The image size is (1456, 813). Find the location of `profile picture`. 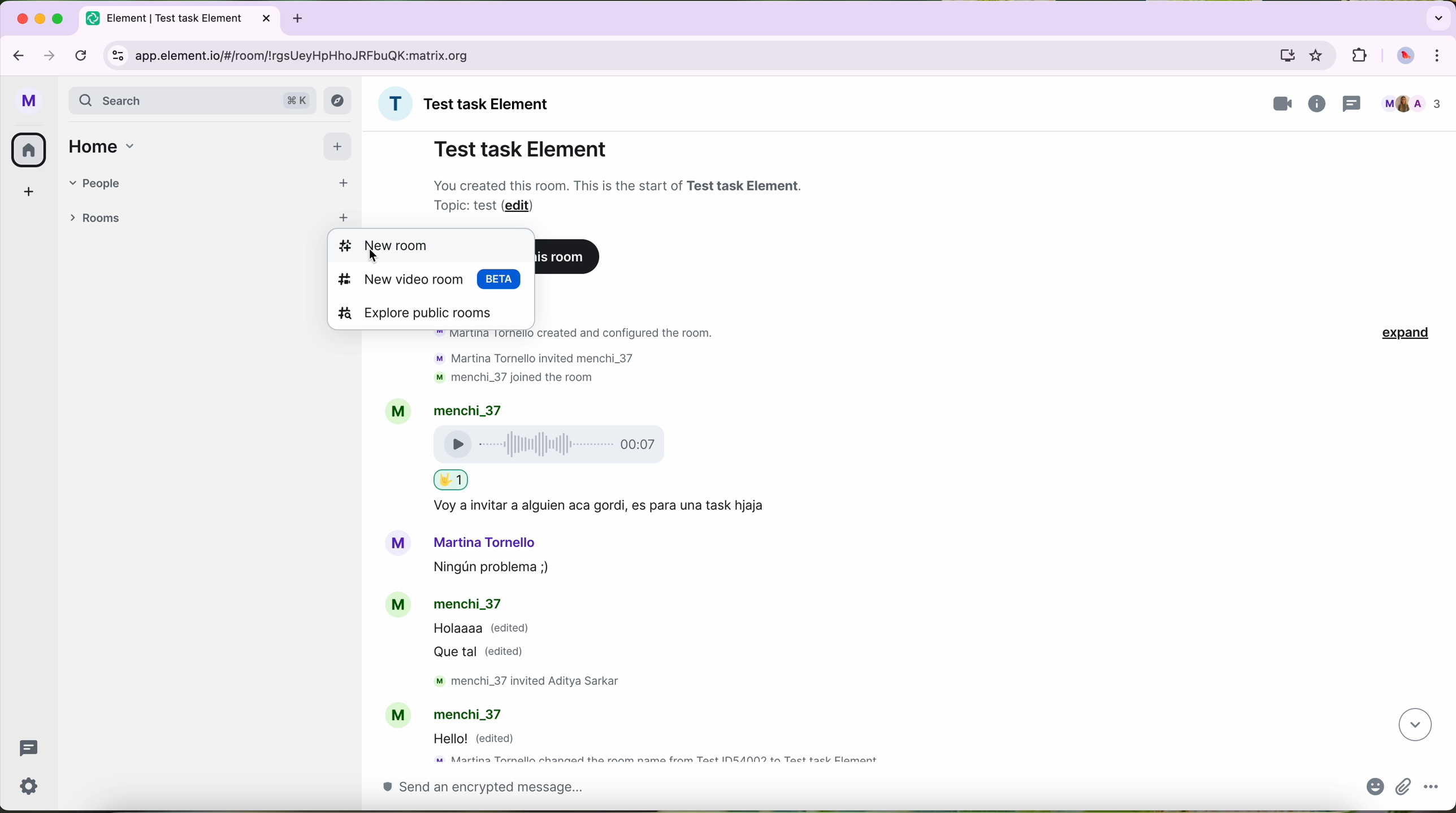

profile picture is located at coordinates (1405, 56).